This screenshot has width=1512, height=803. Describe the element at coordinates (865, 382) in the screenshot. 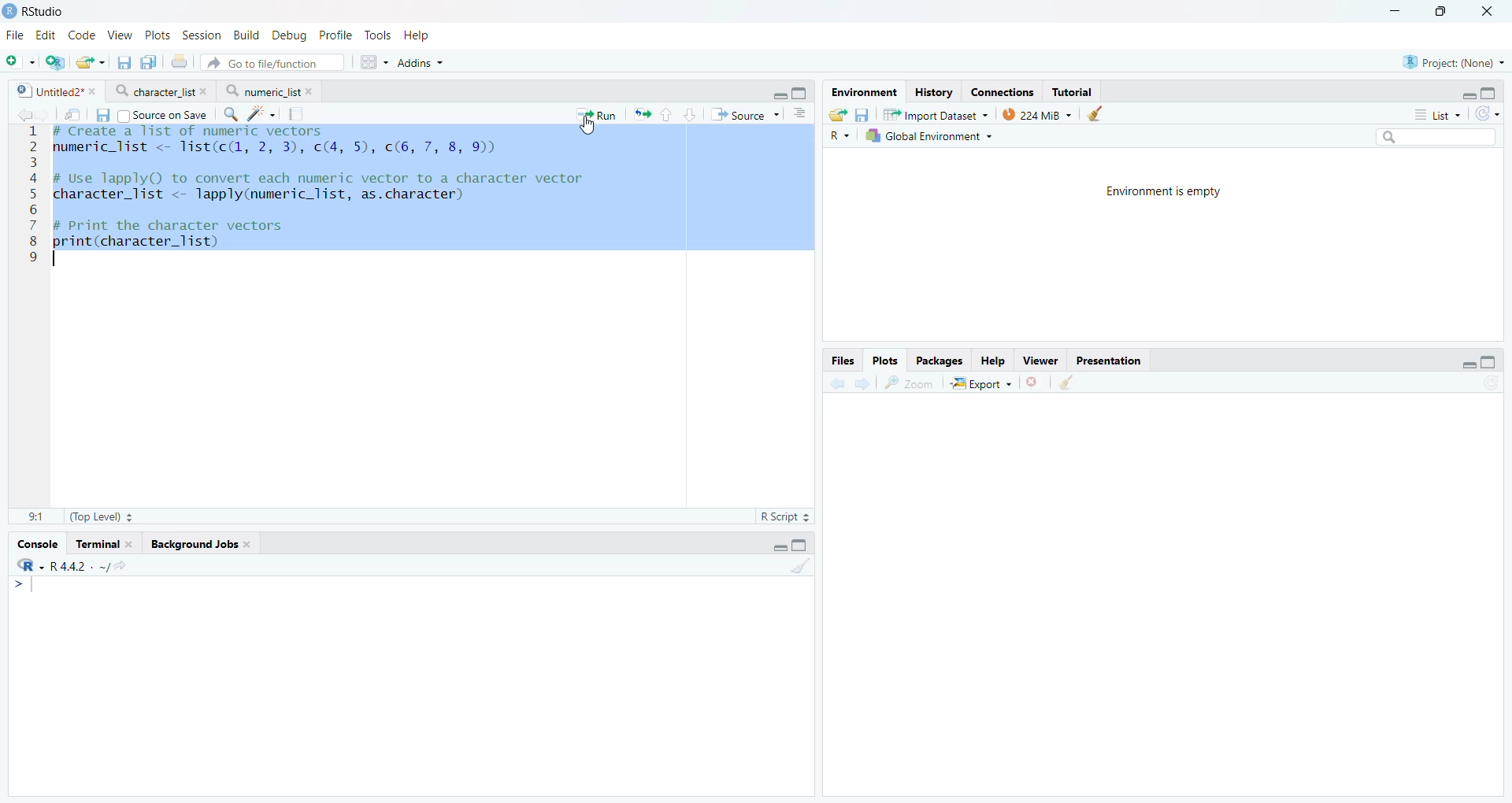

I see `Go to next plot` at that location.